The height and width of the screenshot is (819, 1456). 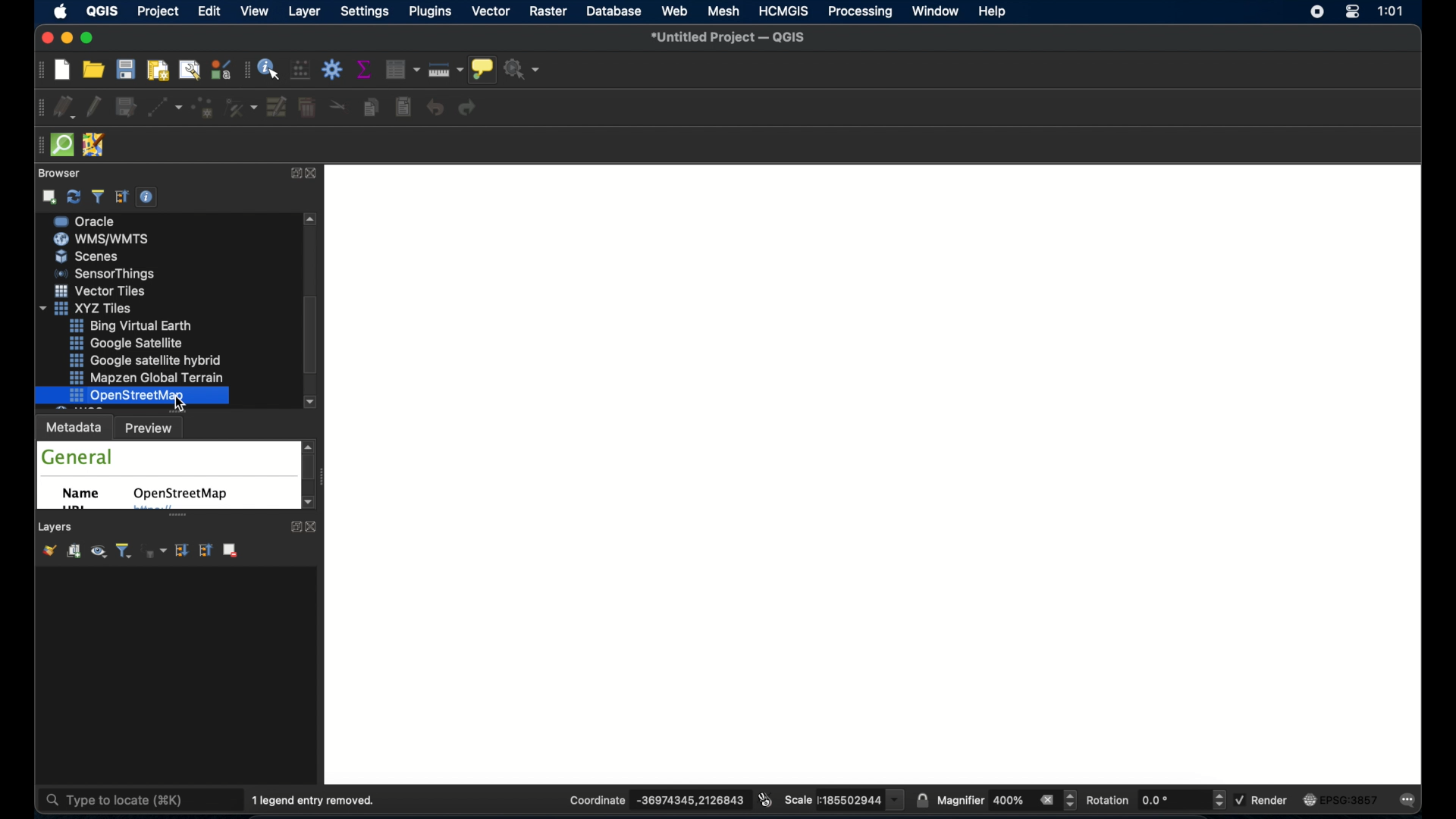 I want to click on browser, so click(x=57, y=174).